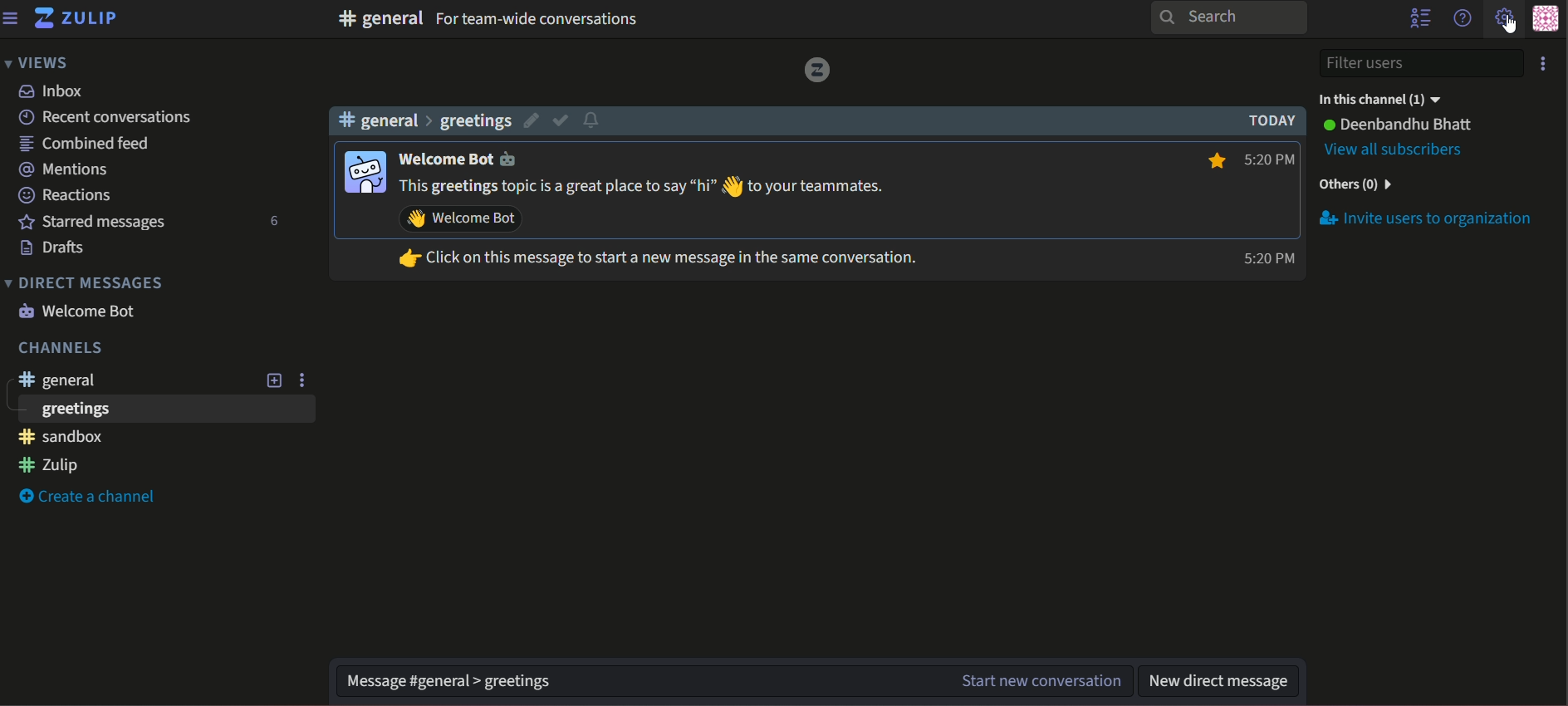 The width and height of the screenshot is (1568, 706). What do you see at coordinates (528, 120) in the screenshot?
I see `edit` at bounding box center [528, 120].